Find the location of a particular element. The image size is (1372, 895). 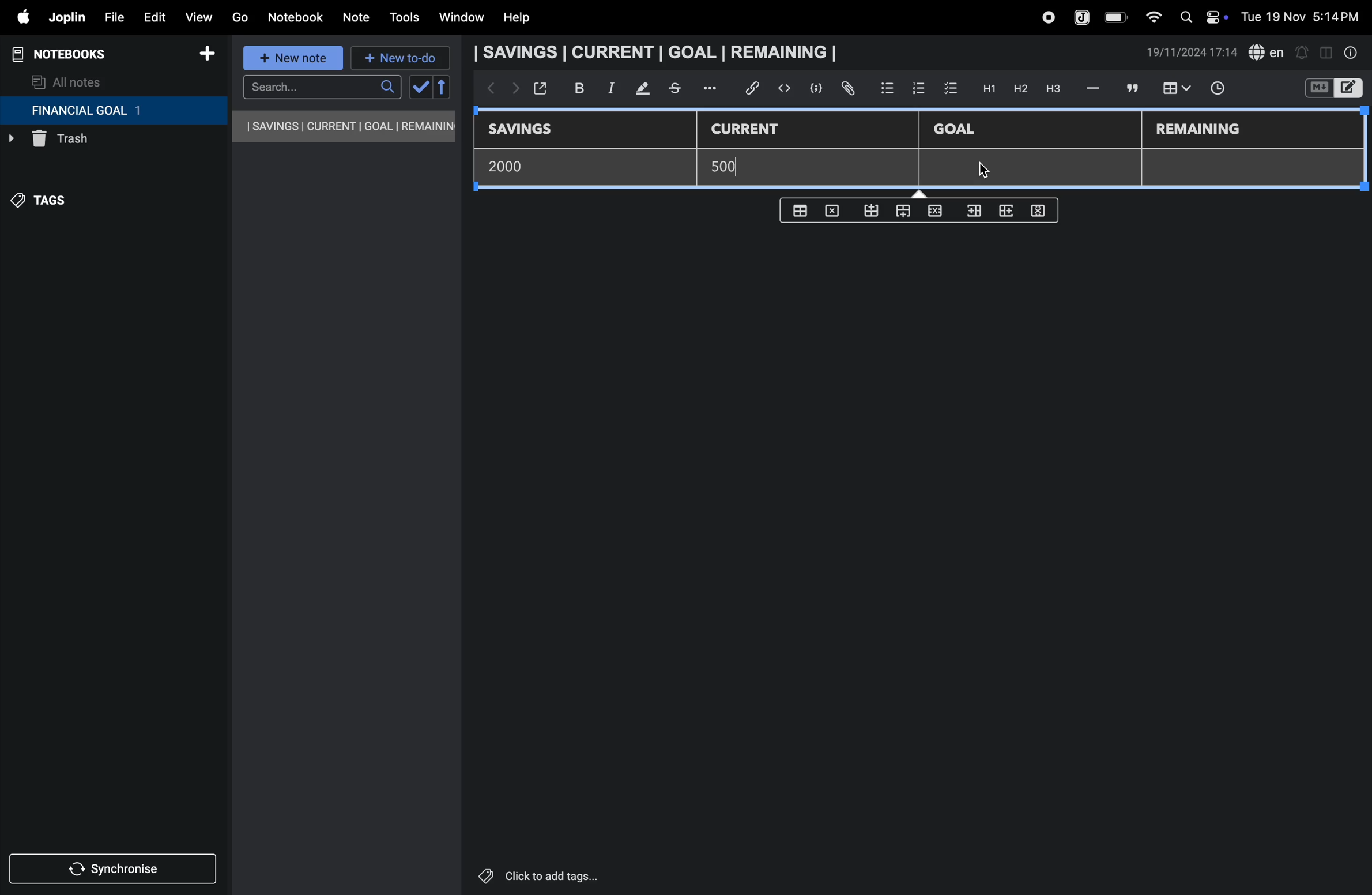

view is located at coordinates (198, 14).